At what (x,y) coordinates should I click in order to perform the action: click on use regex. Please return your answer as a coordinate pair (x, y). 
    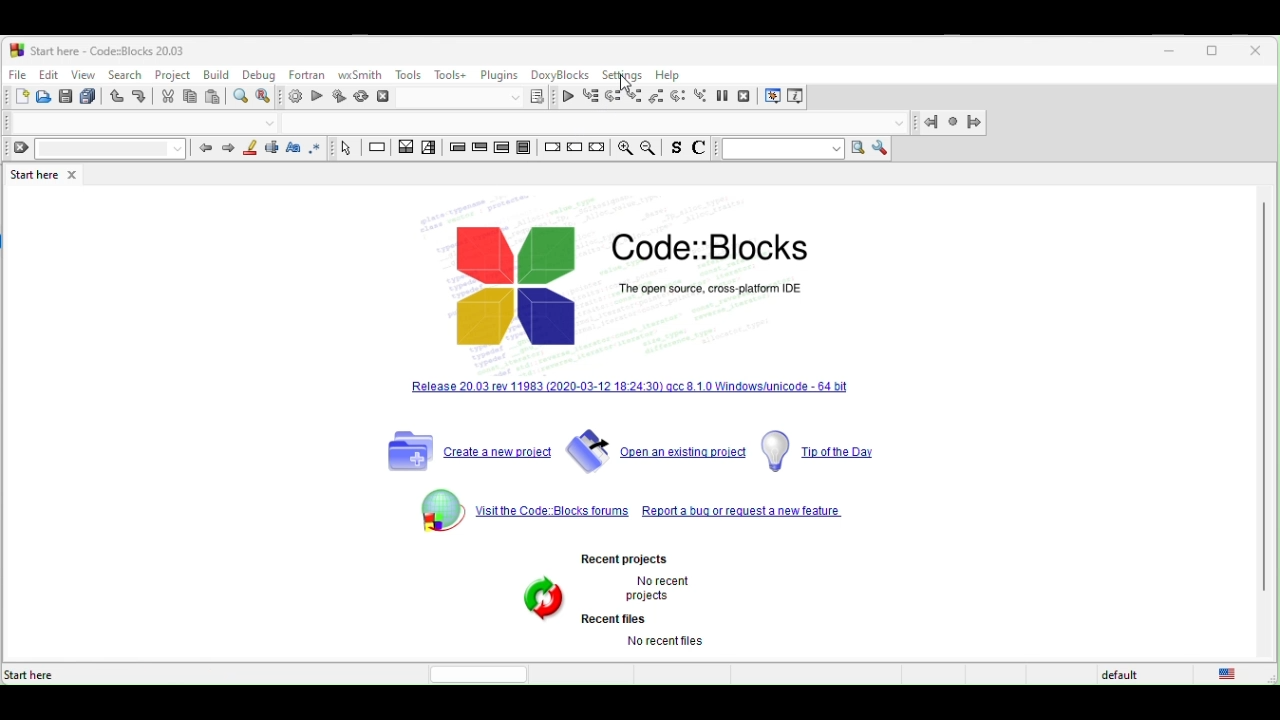
    Looking at the image, I should click on (322, 148).